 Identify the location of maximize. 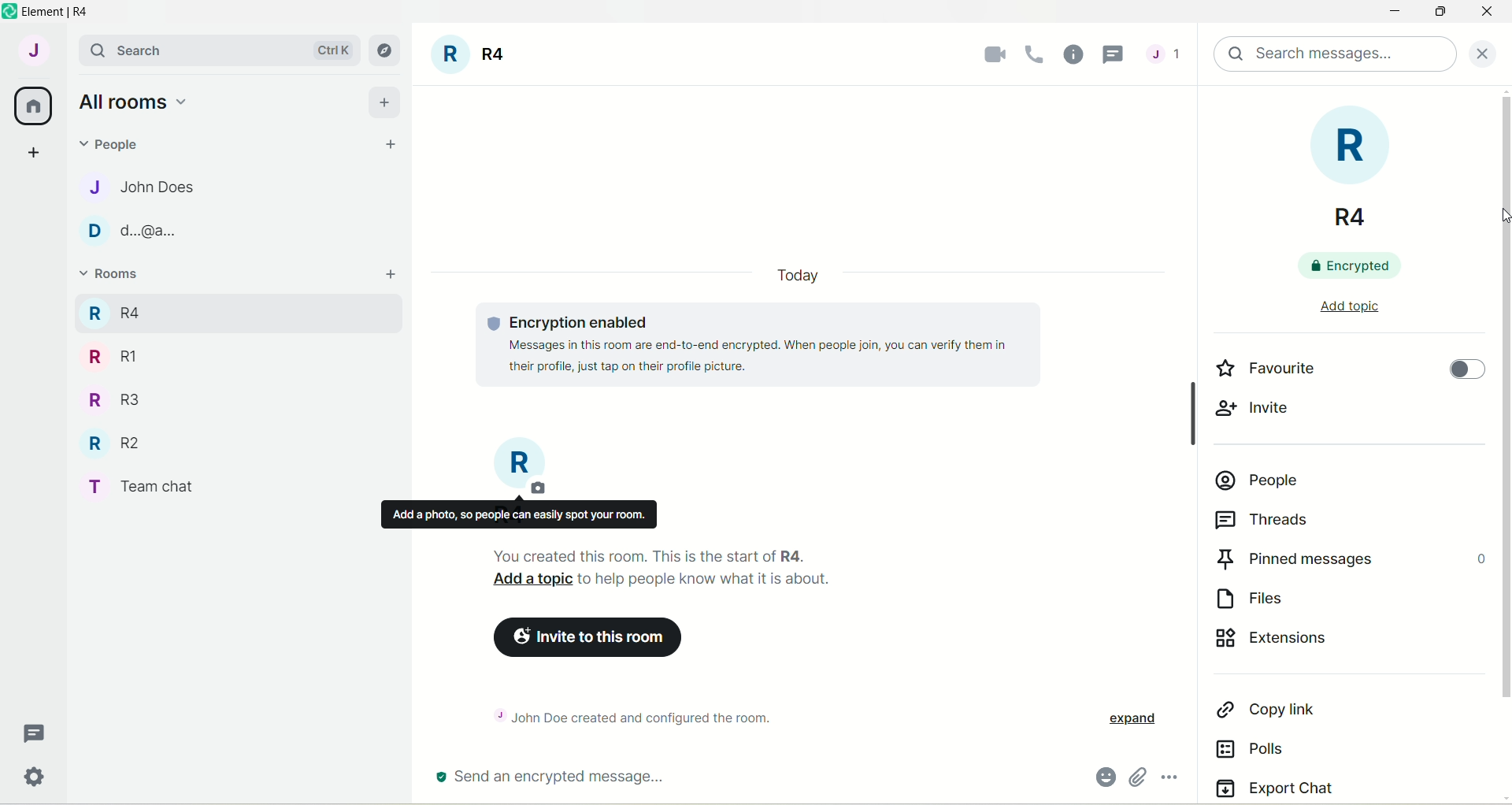
(1443, 13).